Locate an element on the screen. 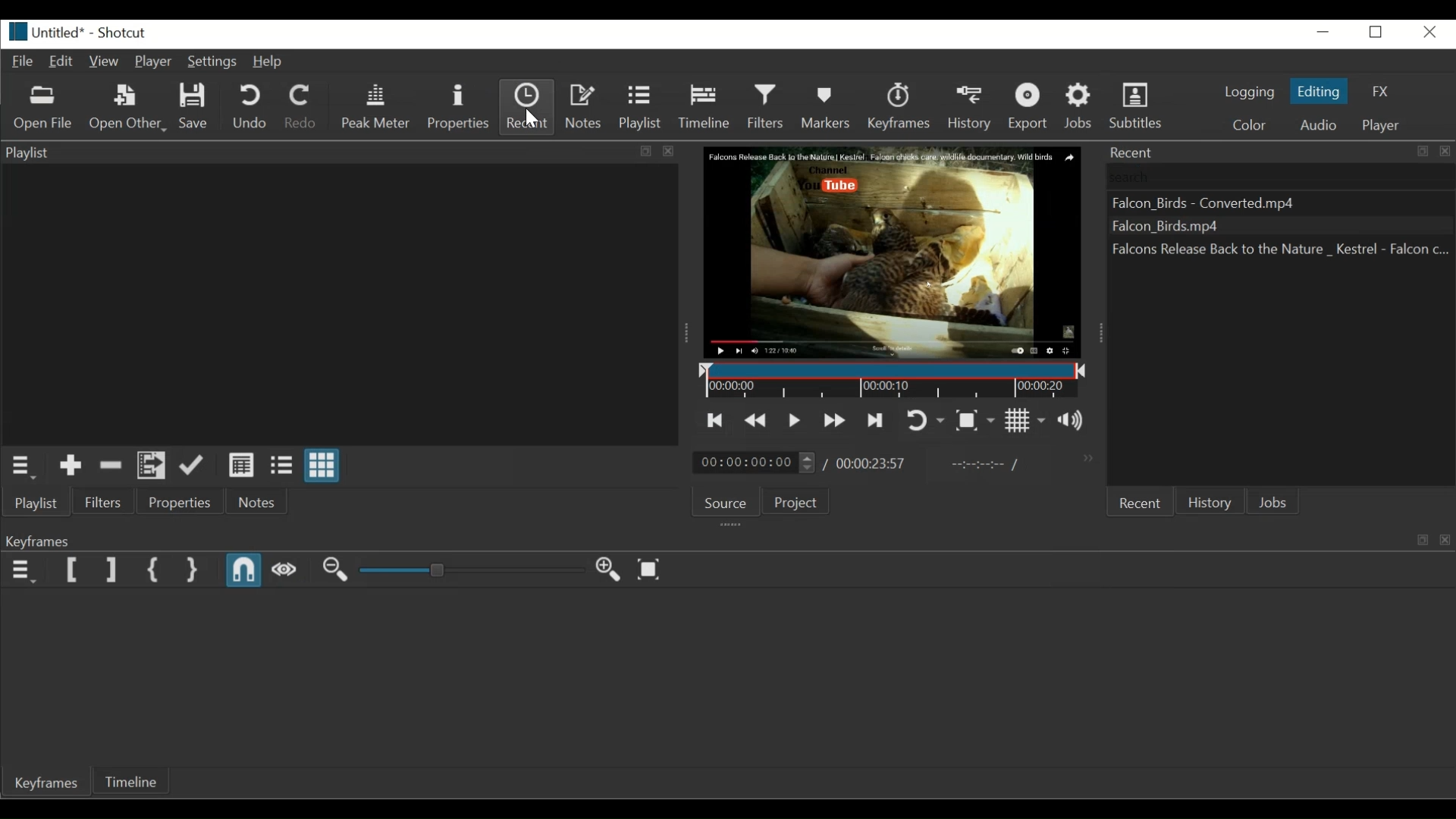  Export is located at coordinates (1030, 106).